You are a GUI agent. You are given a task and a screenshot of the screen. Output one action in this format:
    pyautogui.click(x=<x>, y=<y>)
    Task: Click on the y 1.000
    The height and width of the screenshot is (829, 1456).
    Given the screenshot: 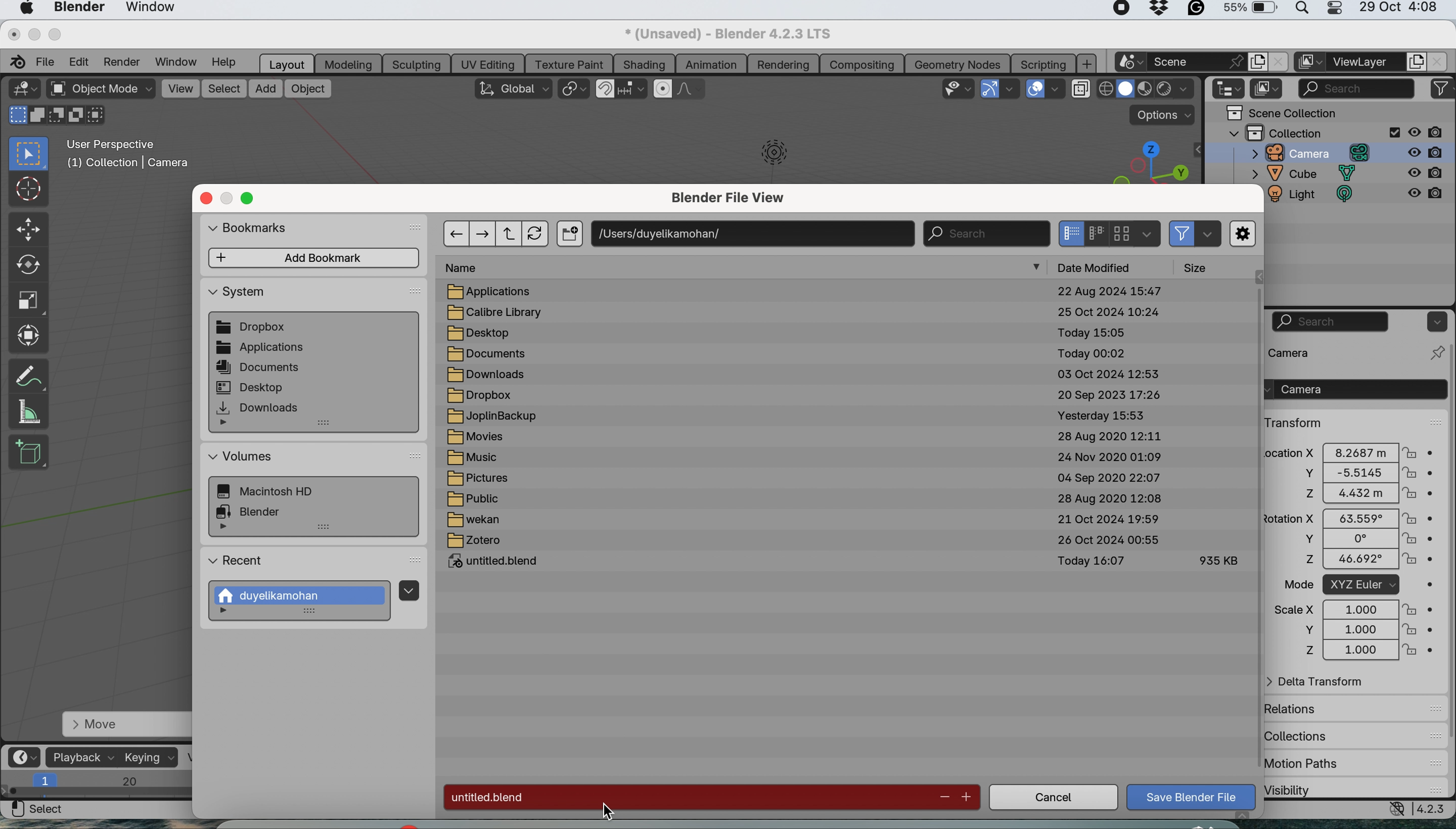 What is the action you would take?
    pyautogui.click(x=1354, y=630)
    